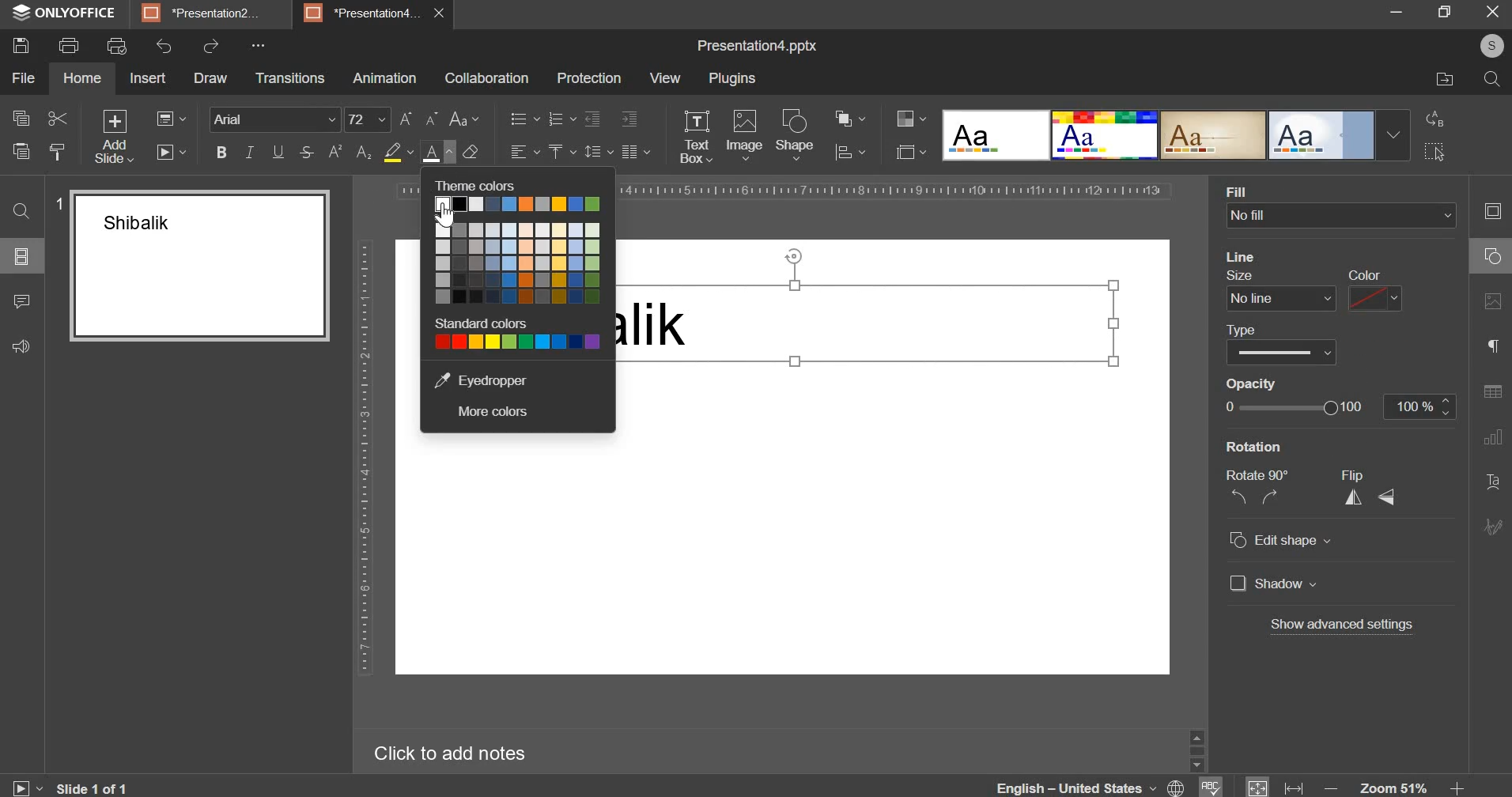 Image resolution: width=1512 pixels, height=797 pixels. What do you see at coordinates (1259, 786) in the screenshot?
I see `fit` at bounding box center [1259, 786].